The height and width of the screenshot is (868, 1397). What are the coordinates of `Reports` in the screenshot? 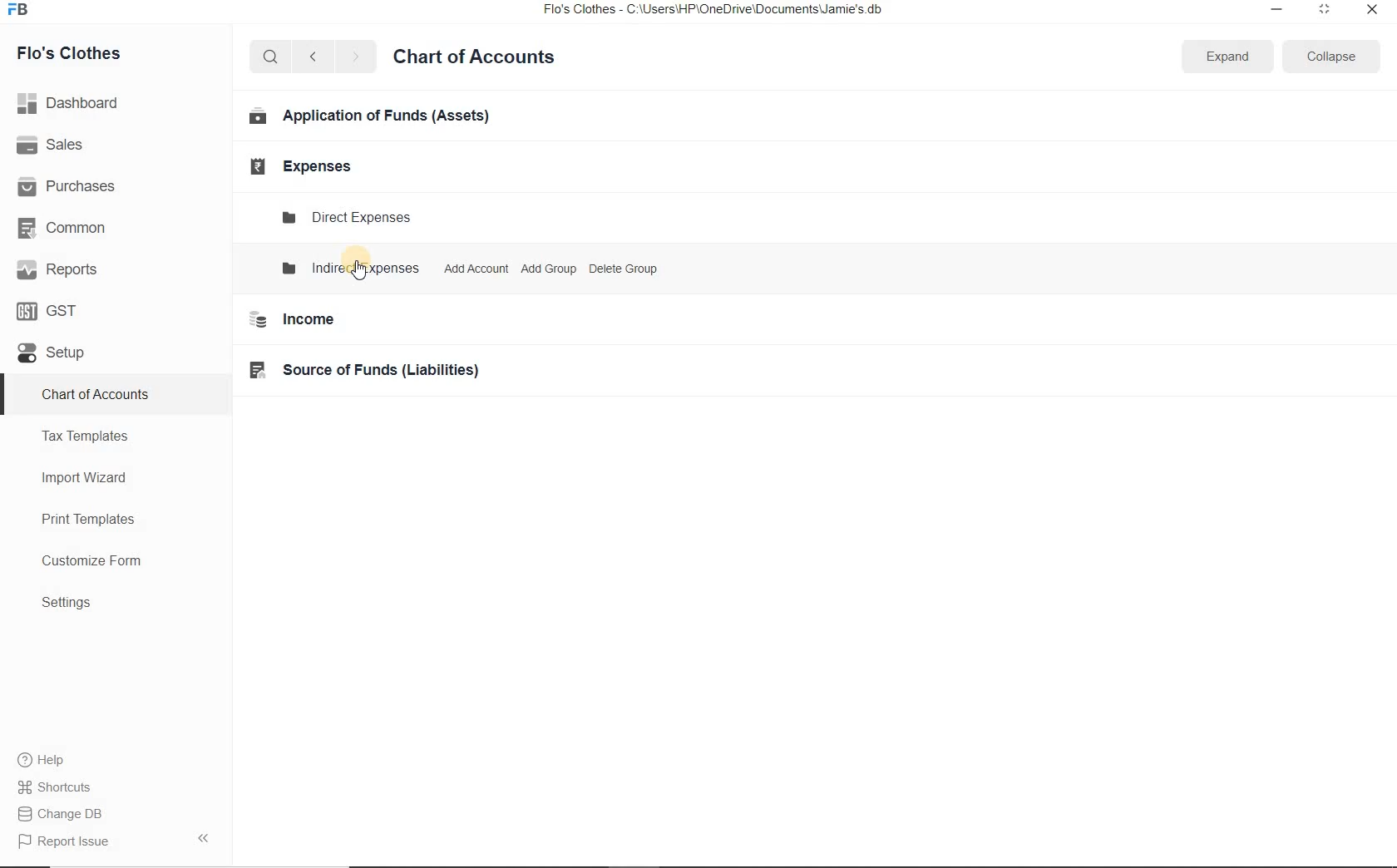 It's located at (57, 269).